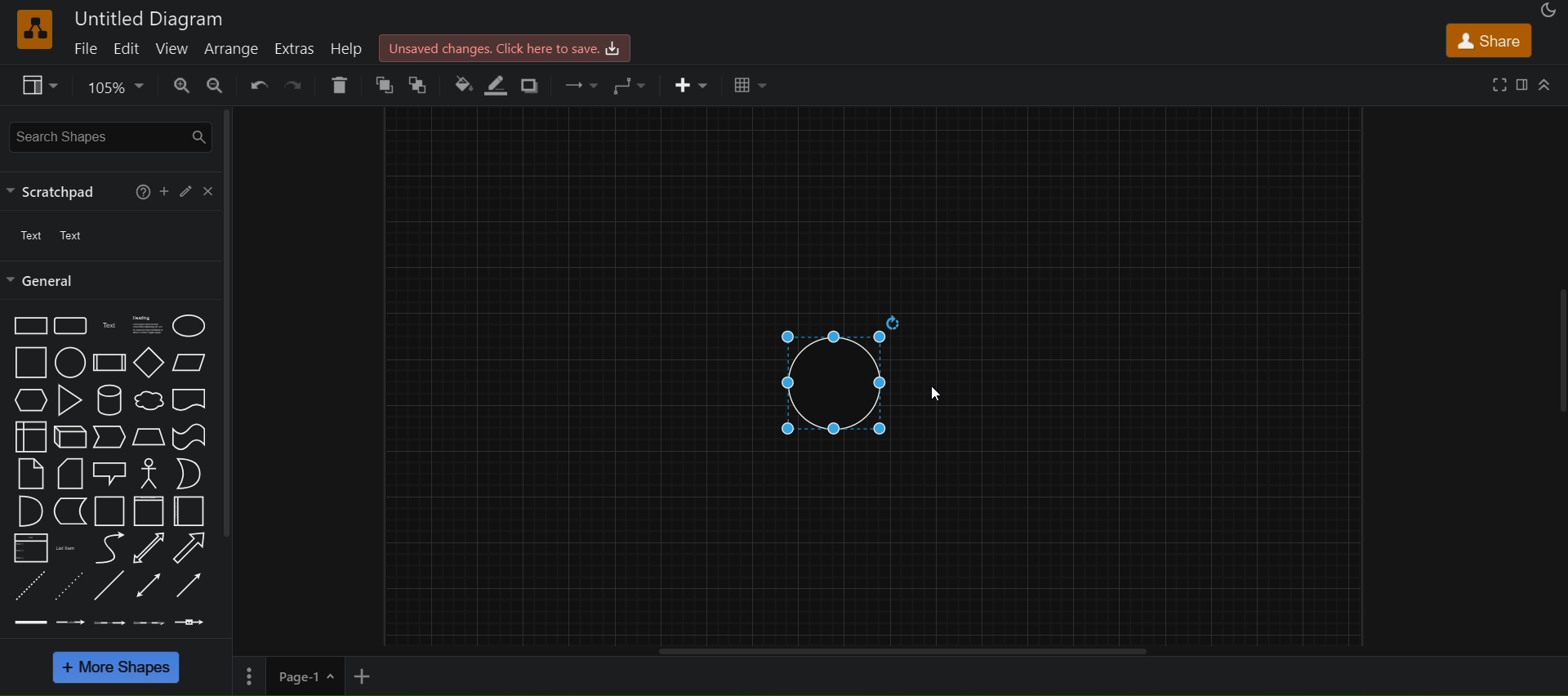 Image resolution: width=1568 pixels, height=696 pixels. Describe the element at coordinates (109, 401) in the screenshot. I see `cylinder` at that location.